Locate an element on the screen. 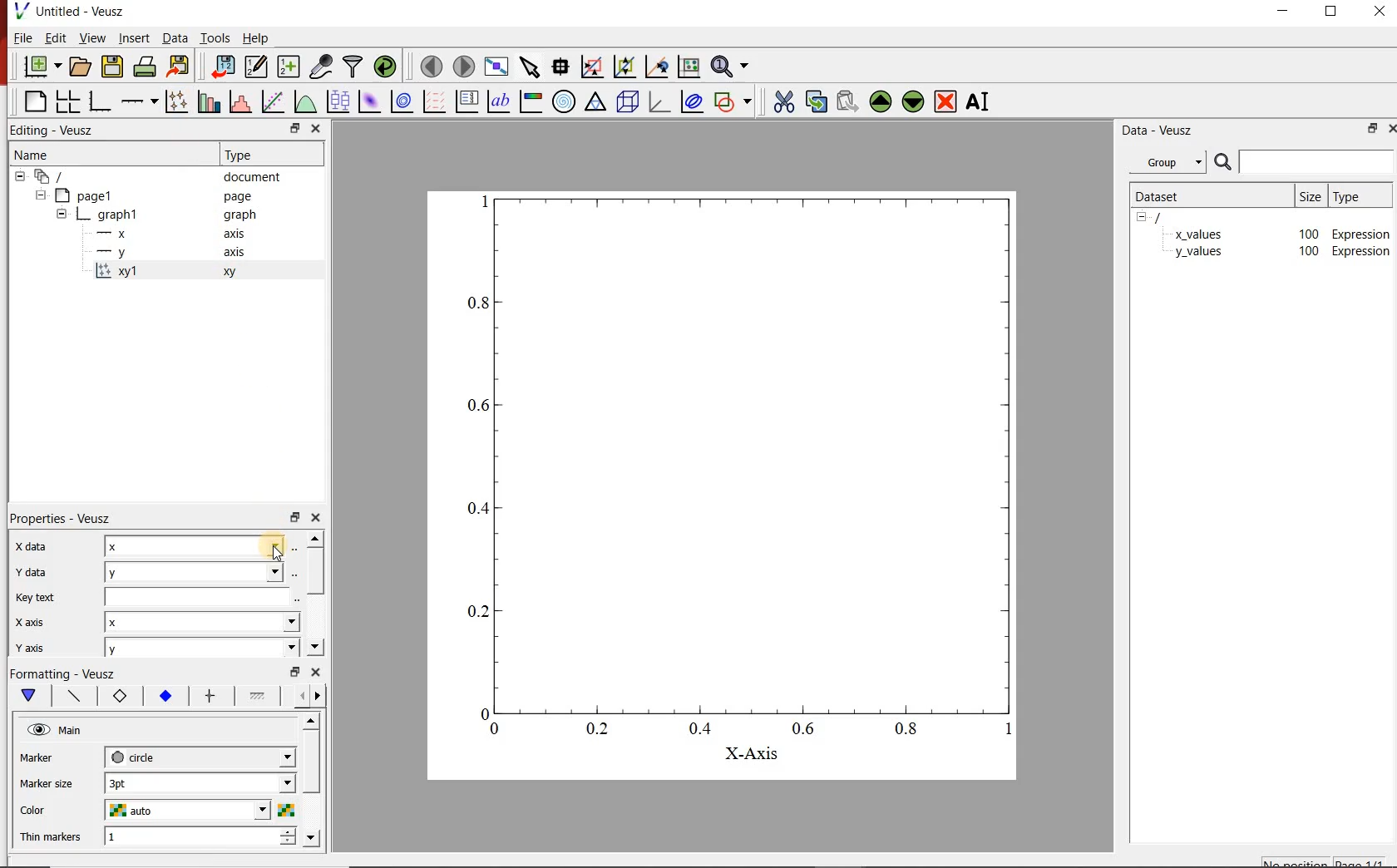 The height and width of the screenshot is (868, 1397). Marker size is located at coordinates (45, 785).